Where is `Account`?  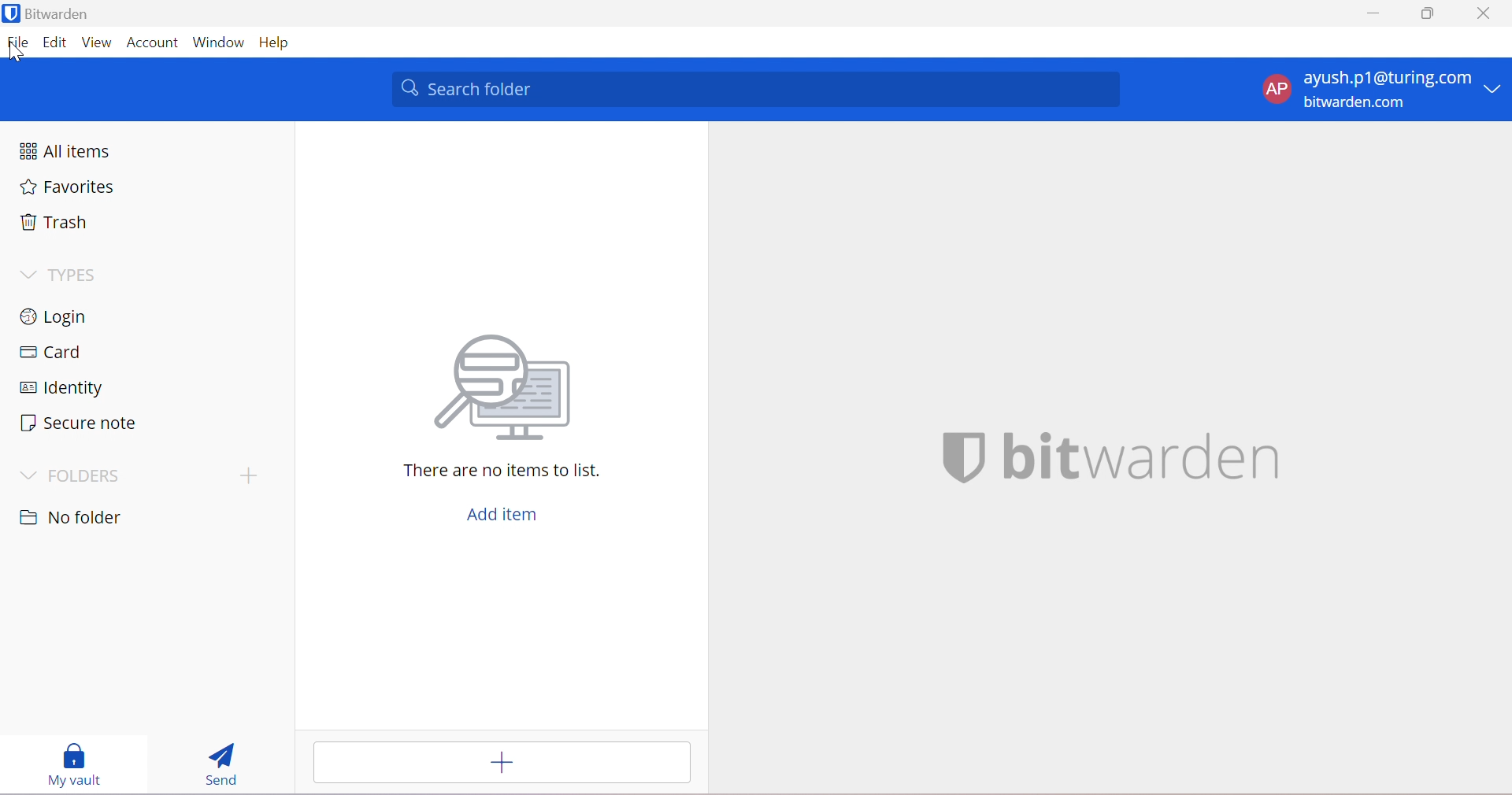
Account is located at coordinates (154, 43).